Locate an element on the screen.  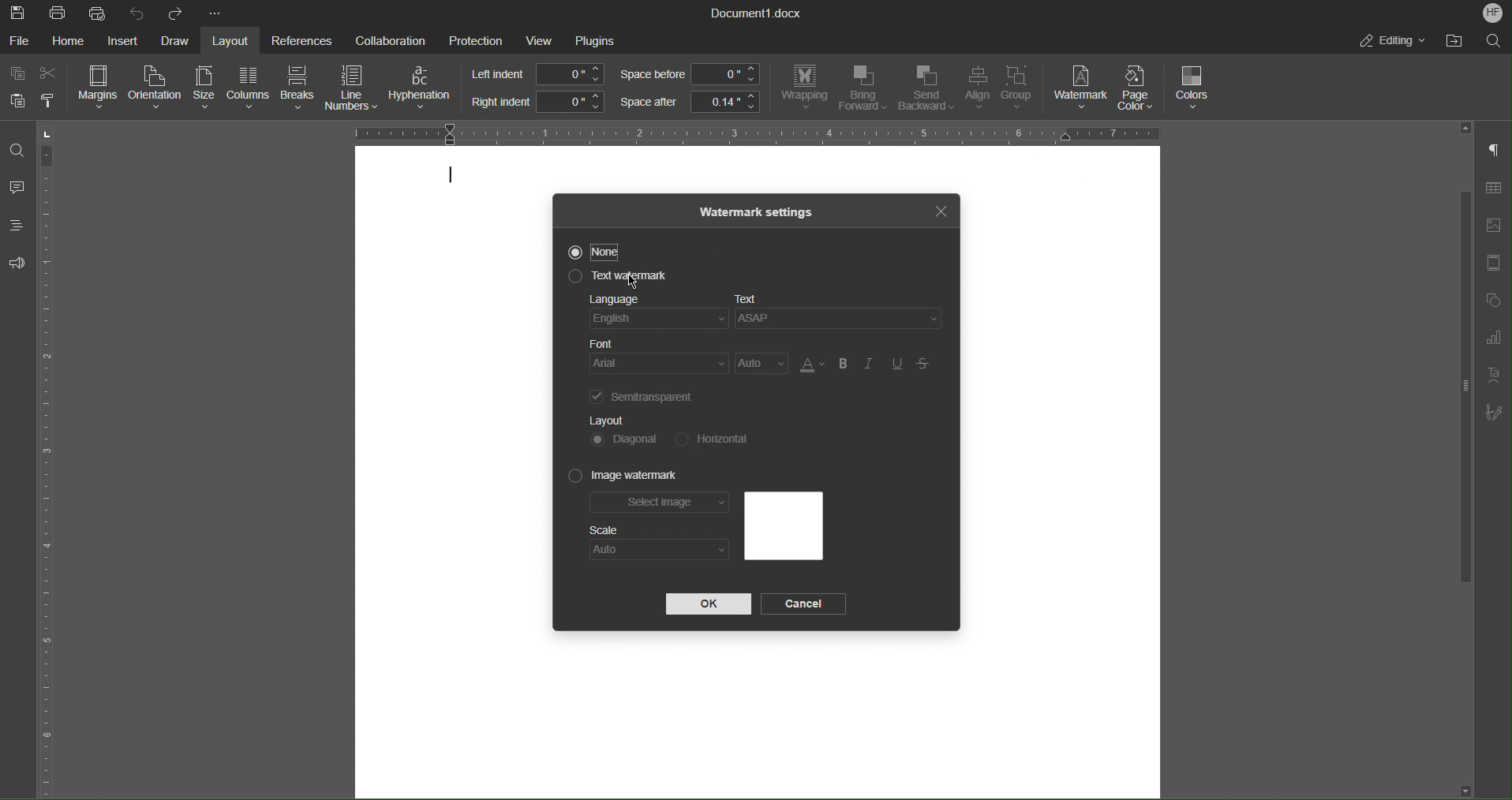
Document Title is located at coordinates (757, 13).